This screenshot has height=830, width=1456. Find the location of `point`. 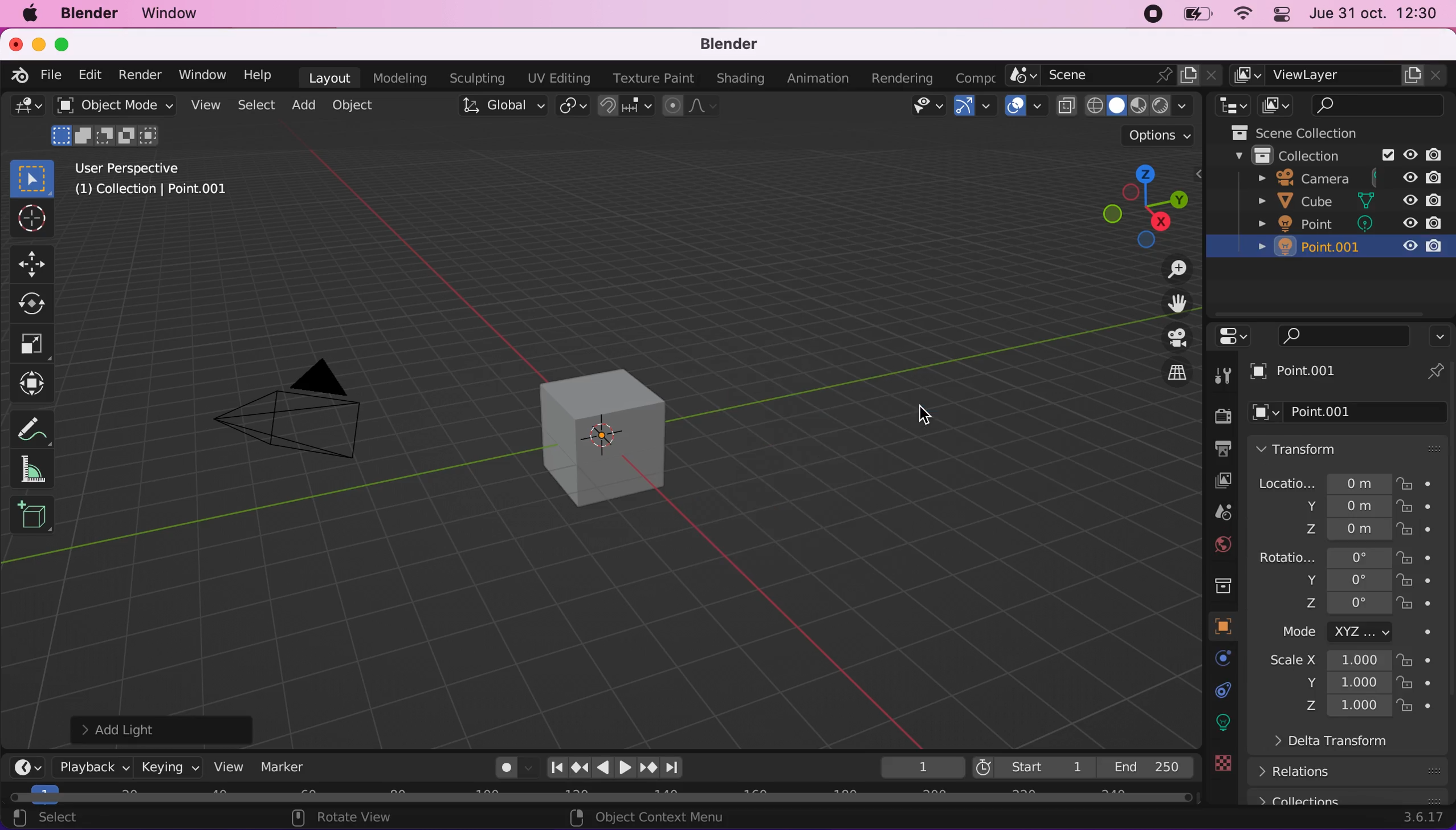

point is located at coordinates (1299, 227).